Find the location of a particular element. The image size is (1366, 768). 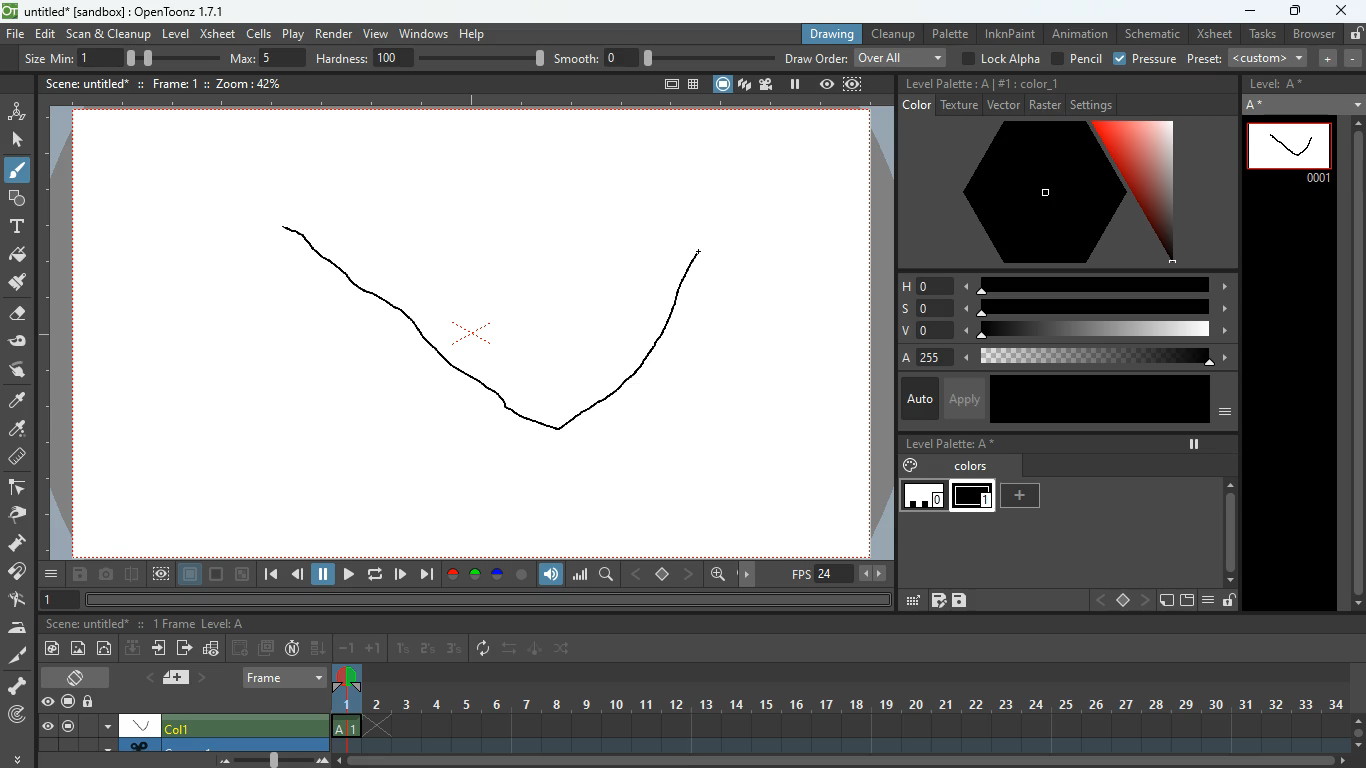

play is located at coordinates (348, 576).